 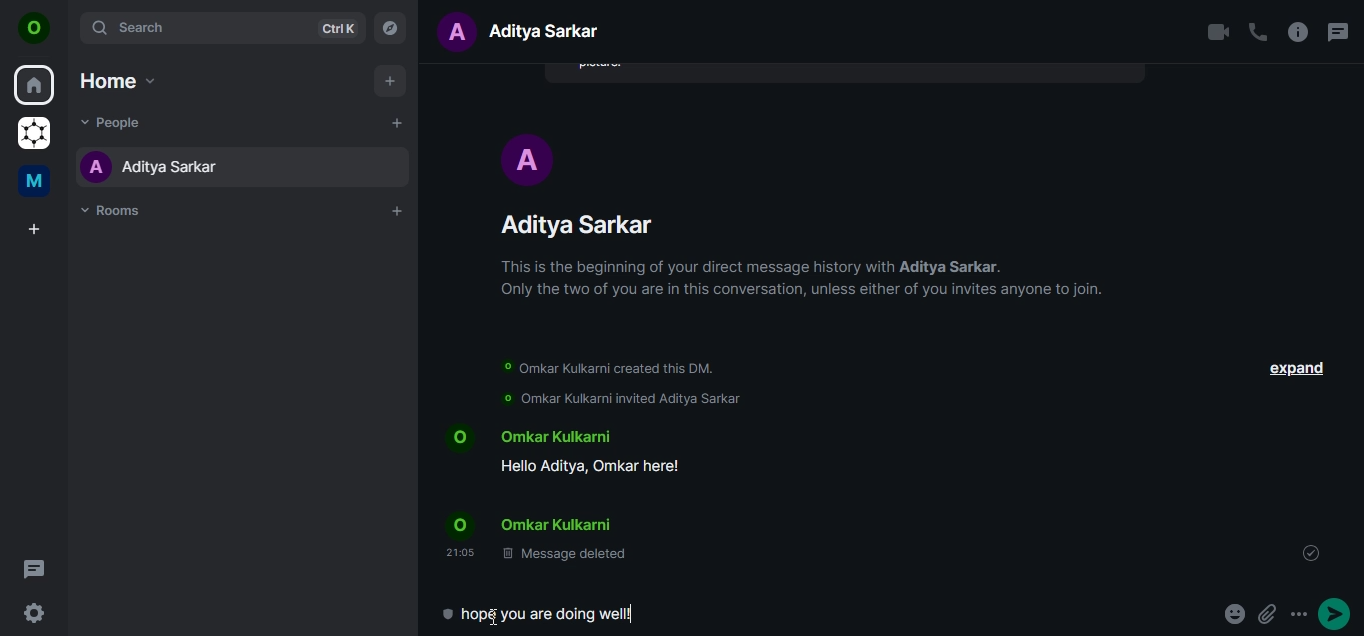 What do you see at coordinates (1296, 31) in the screenshot?
I see `room info` at bounding box center [1296, 31].